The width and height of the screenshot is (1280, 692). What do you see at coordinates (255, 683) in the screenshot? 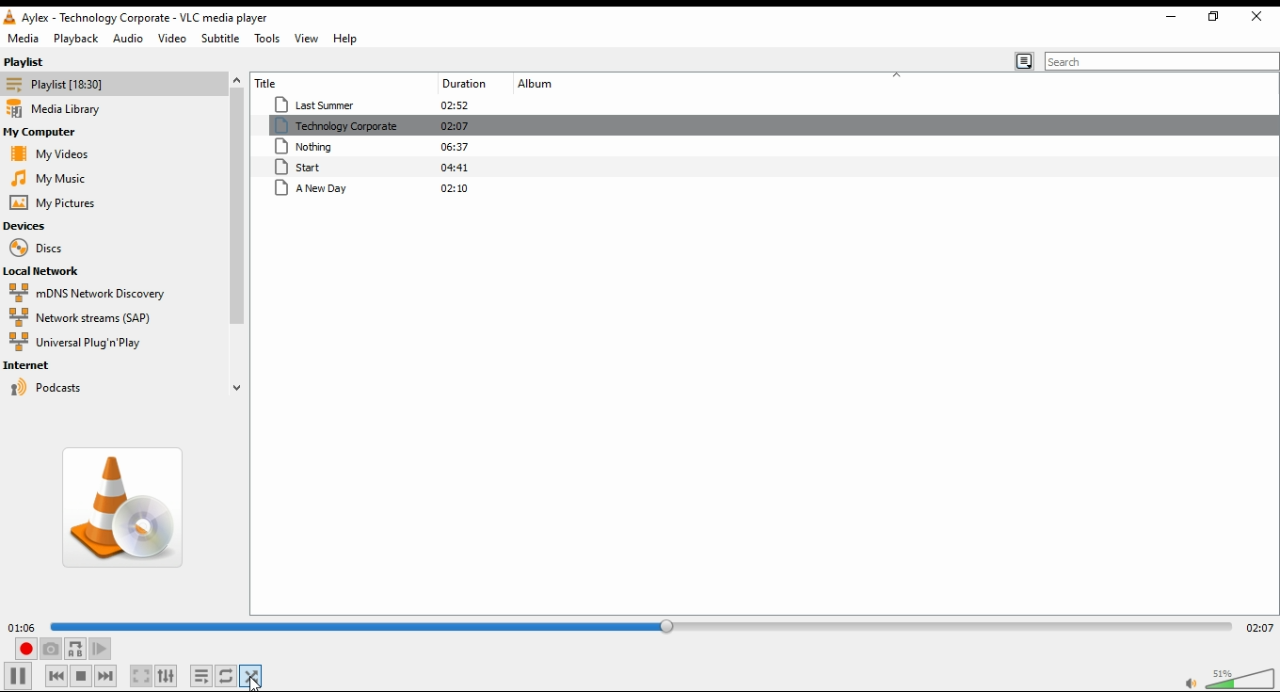
I see `cursor` at bounding box center [255, 683].